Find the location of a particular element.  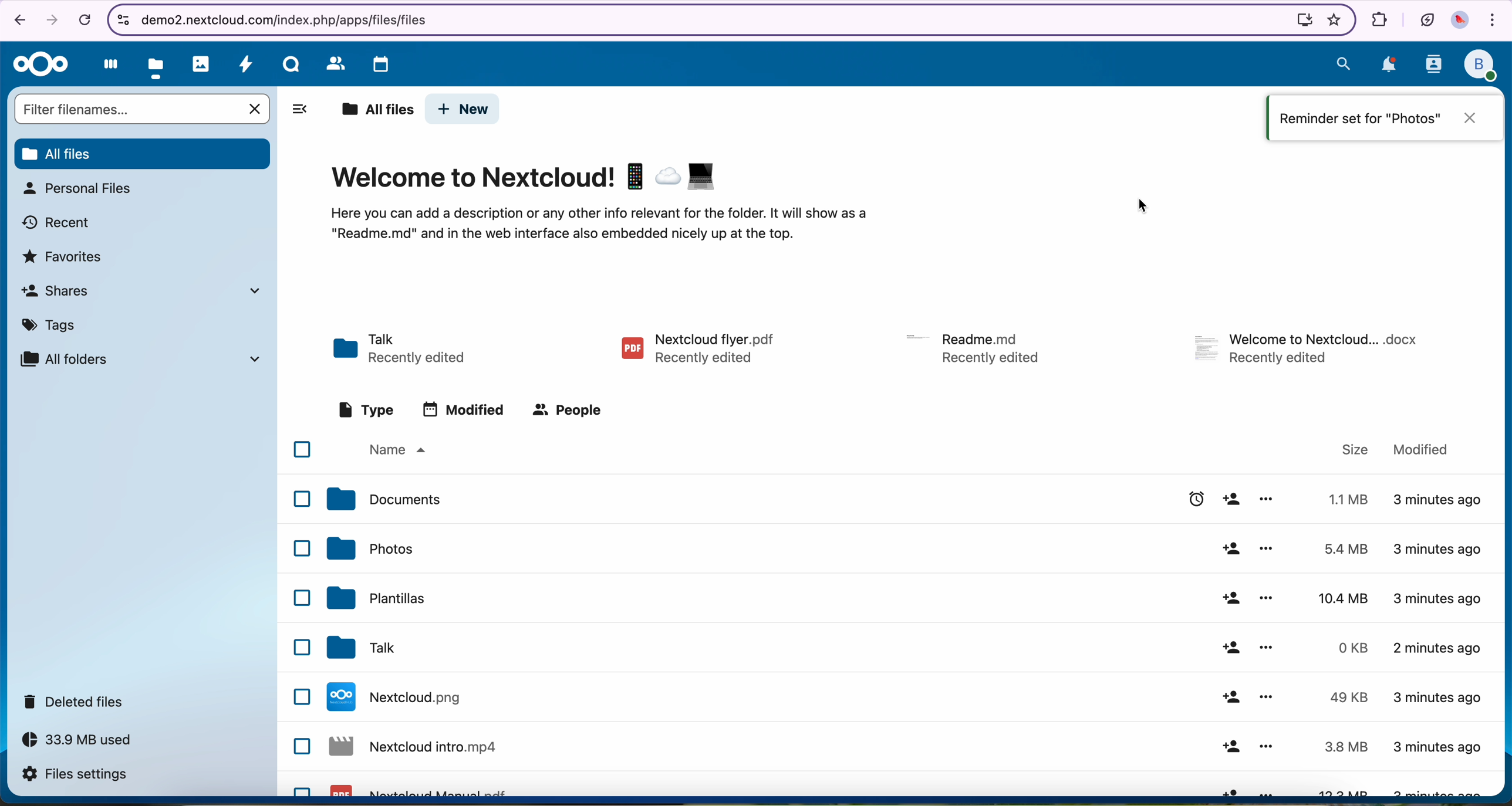

Talk is located at coordinates (292, 63).